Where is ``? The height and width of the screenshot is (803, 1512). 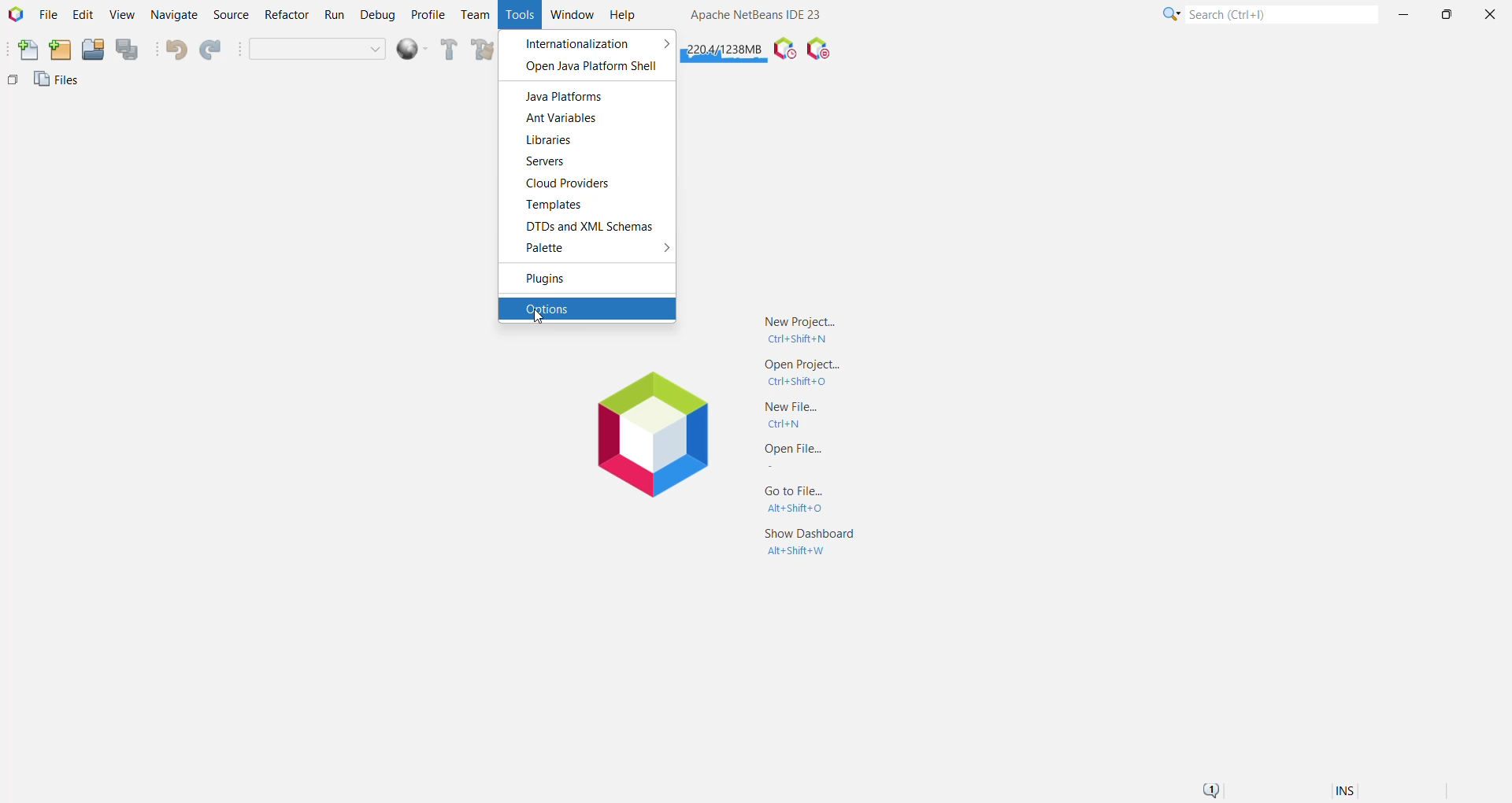
 is located at coordinates (13, 80).